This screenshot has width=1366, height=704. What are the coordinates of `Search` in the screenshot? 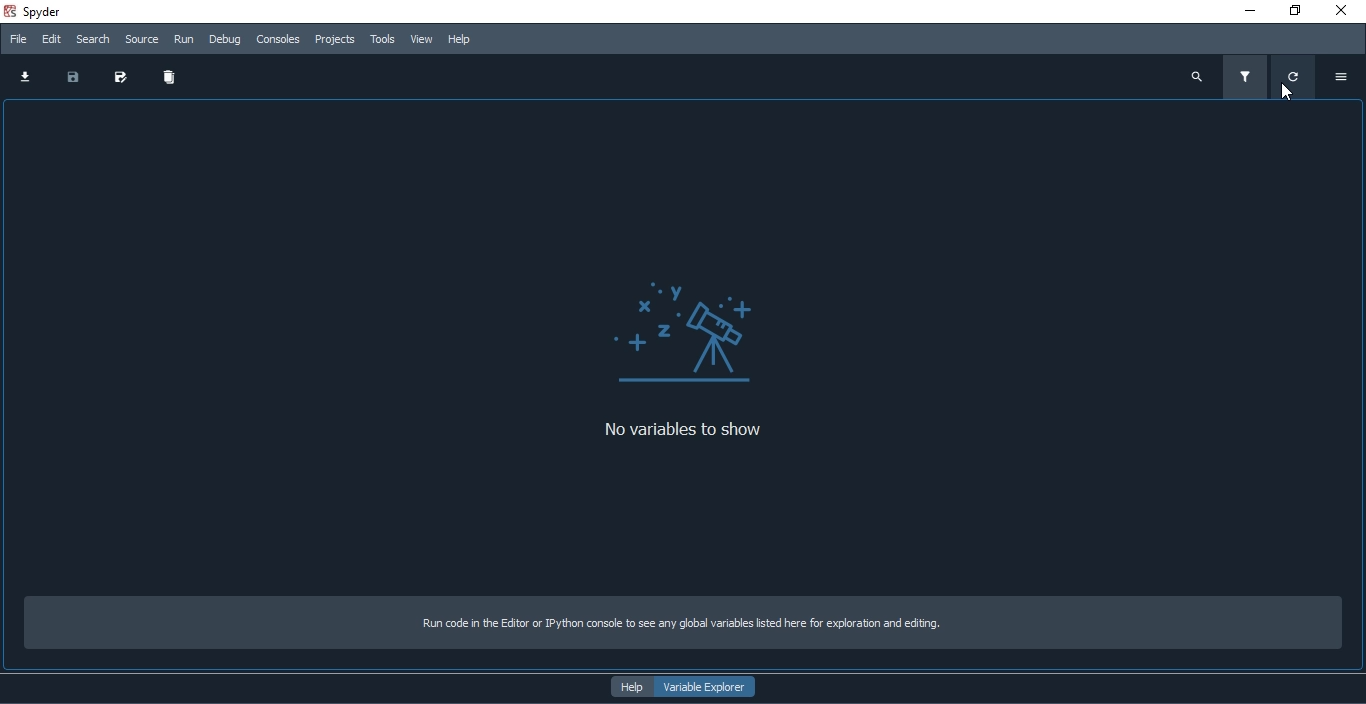 It's located at (93, 39).